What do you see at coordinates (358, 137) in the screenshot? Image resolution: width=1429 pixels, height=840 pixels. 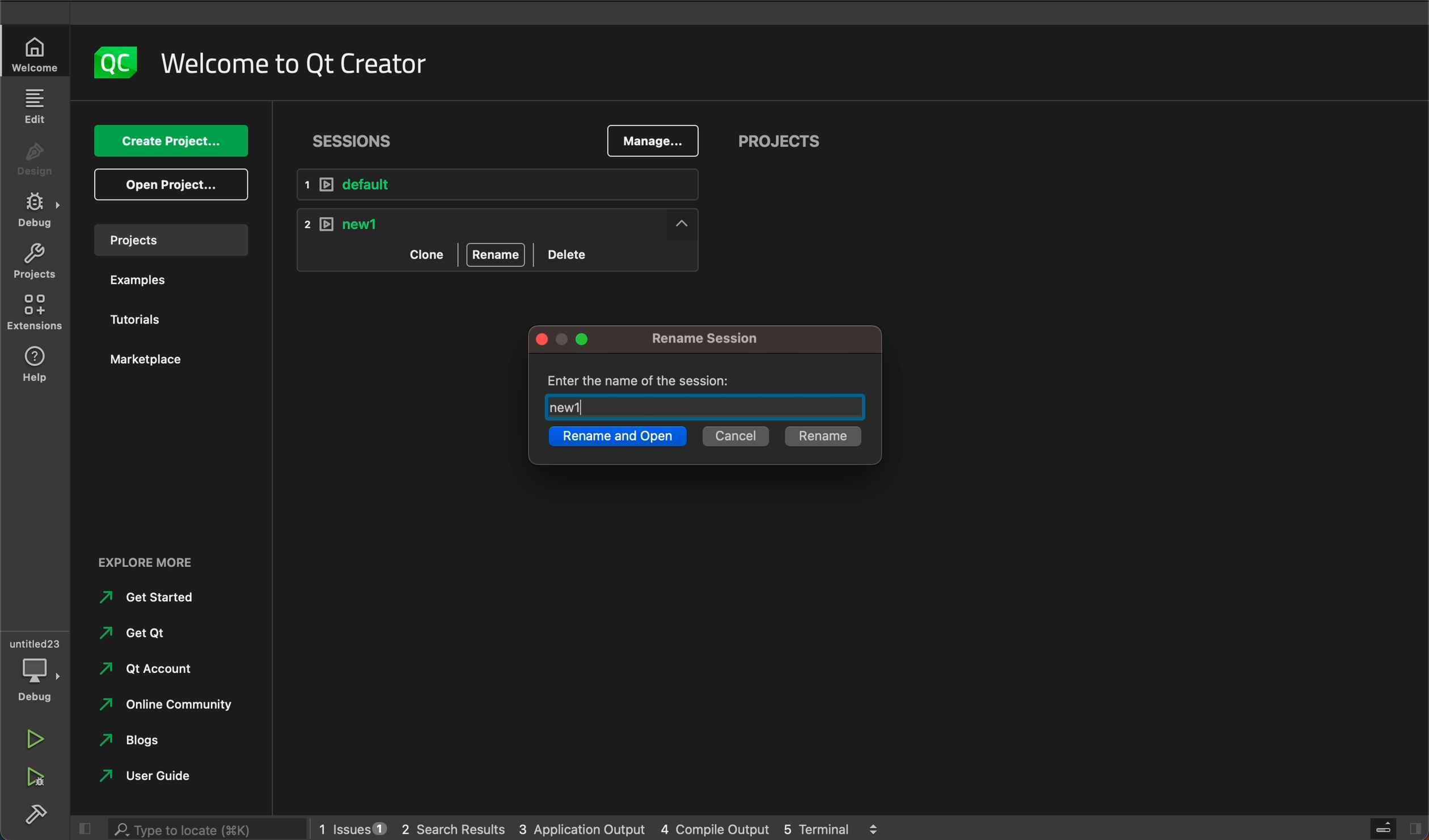 I see `sessions` at bounding box center [358, 137].